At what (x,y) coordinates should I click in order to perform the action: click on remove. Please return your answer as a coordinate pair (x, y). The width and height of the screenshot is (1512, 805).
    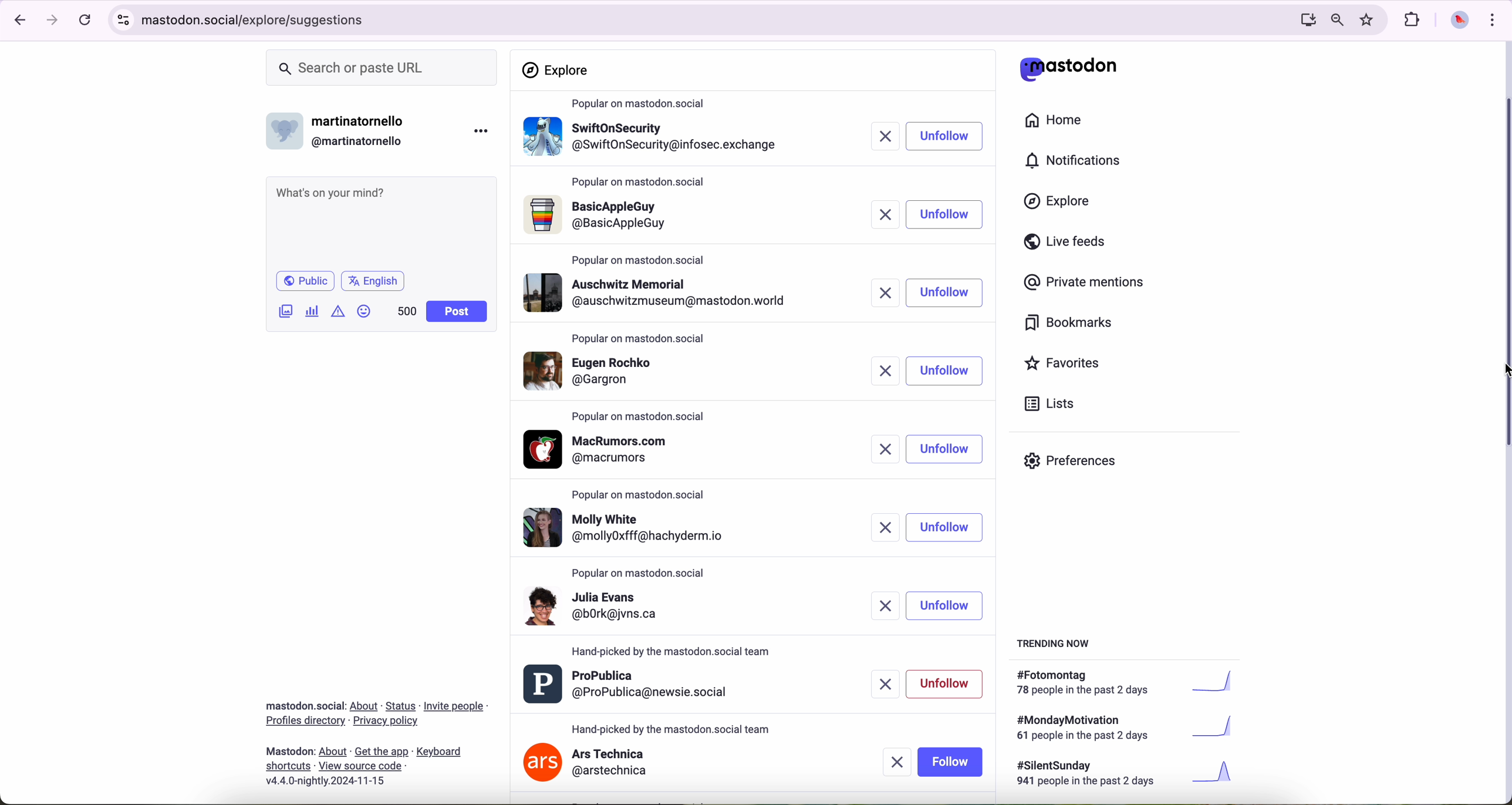
    Looking at the image, I should click on (880, 527).